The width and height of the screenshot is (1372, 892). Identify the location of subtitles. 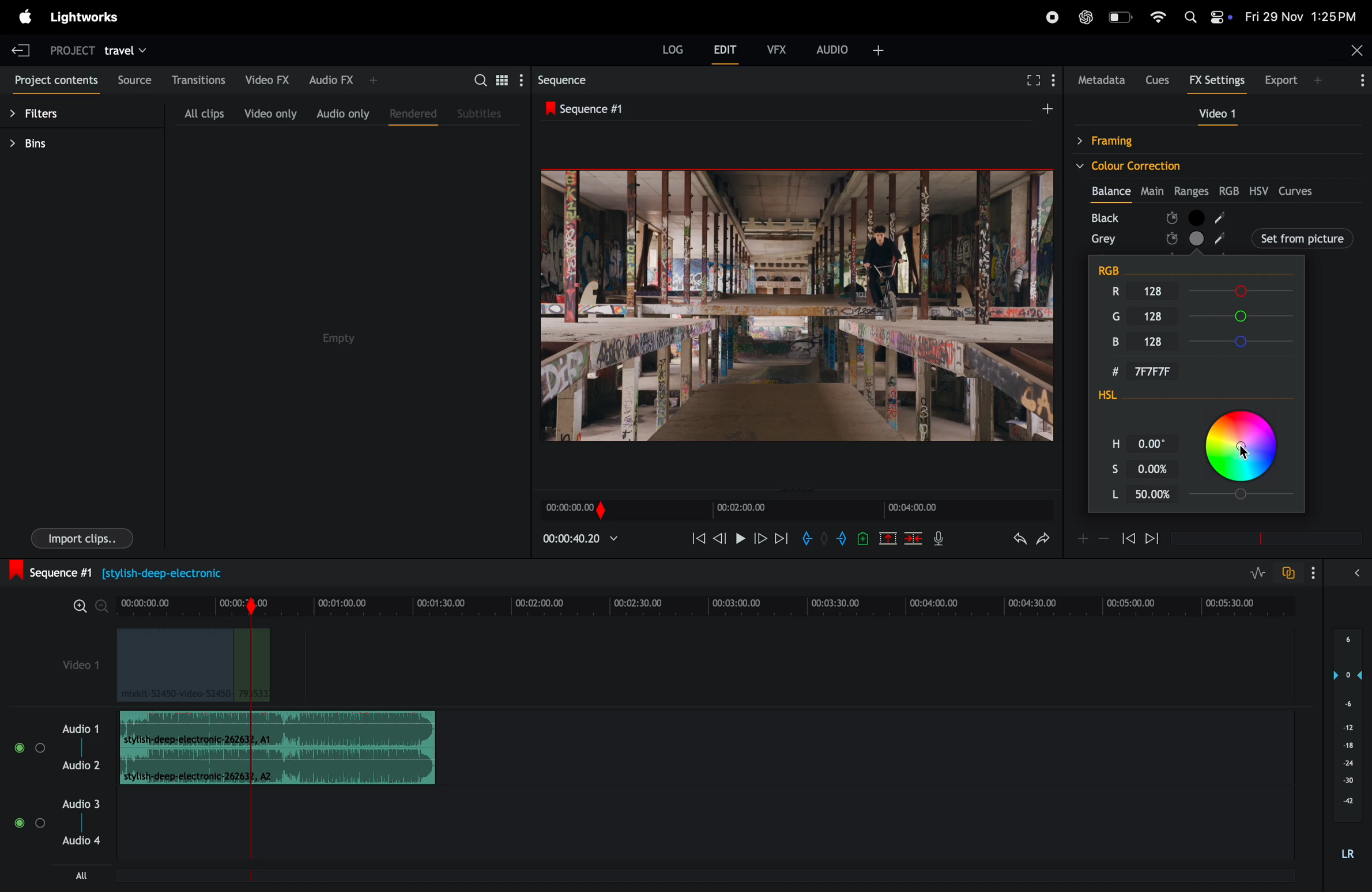
(481, 112).